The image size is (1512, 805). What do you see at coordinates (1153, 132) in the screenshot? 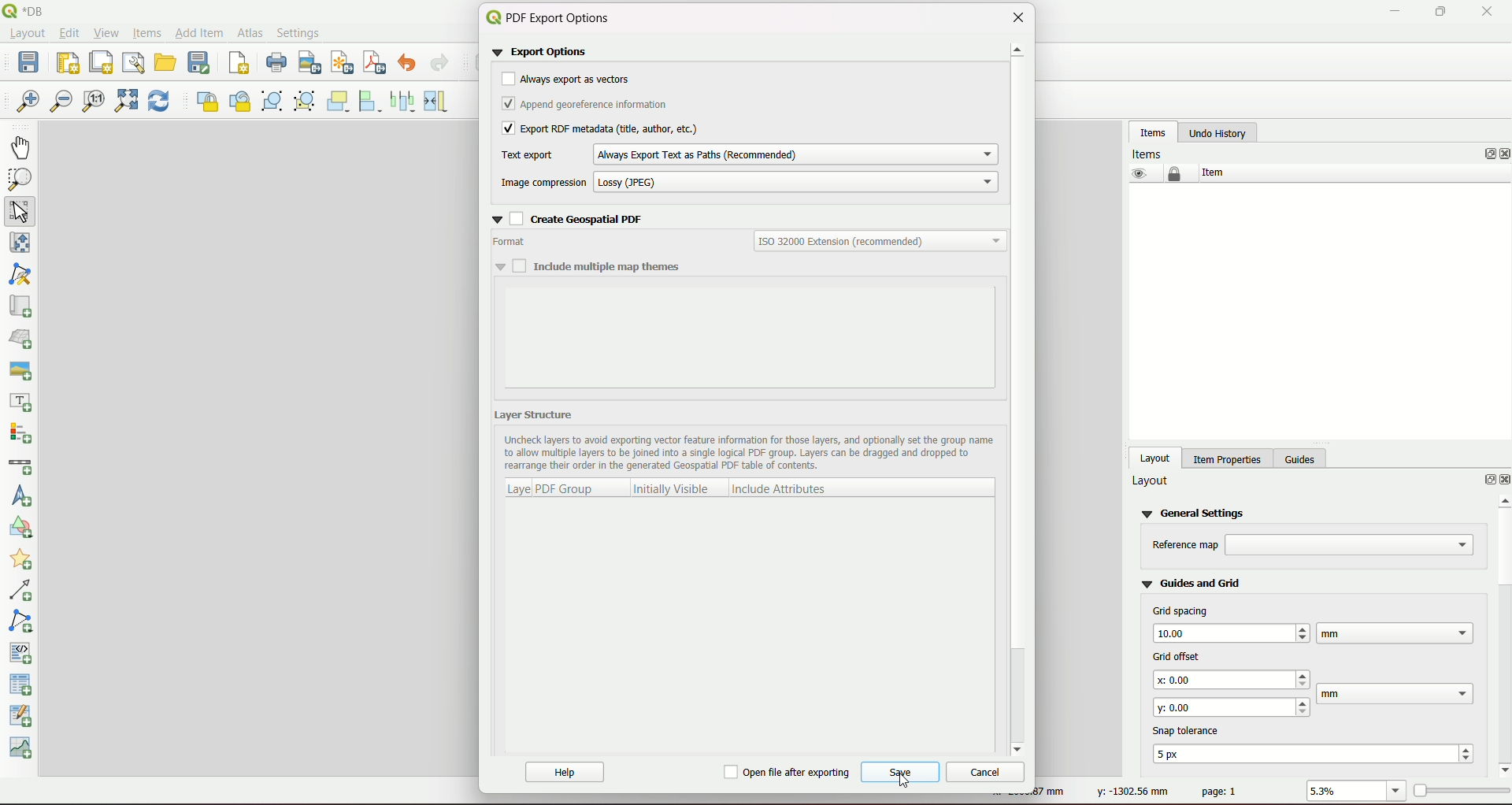
I see `items` at bounding box center [1153, 132].